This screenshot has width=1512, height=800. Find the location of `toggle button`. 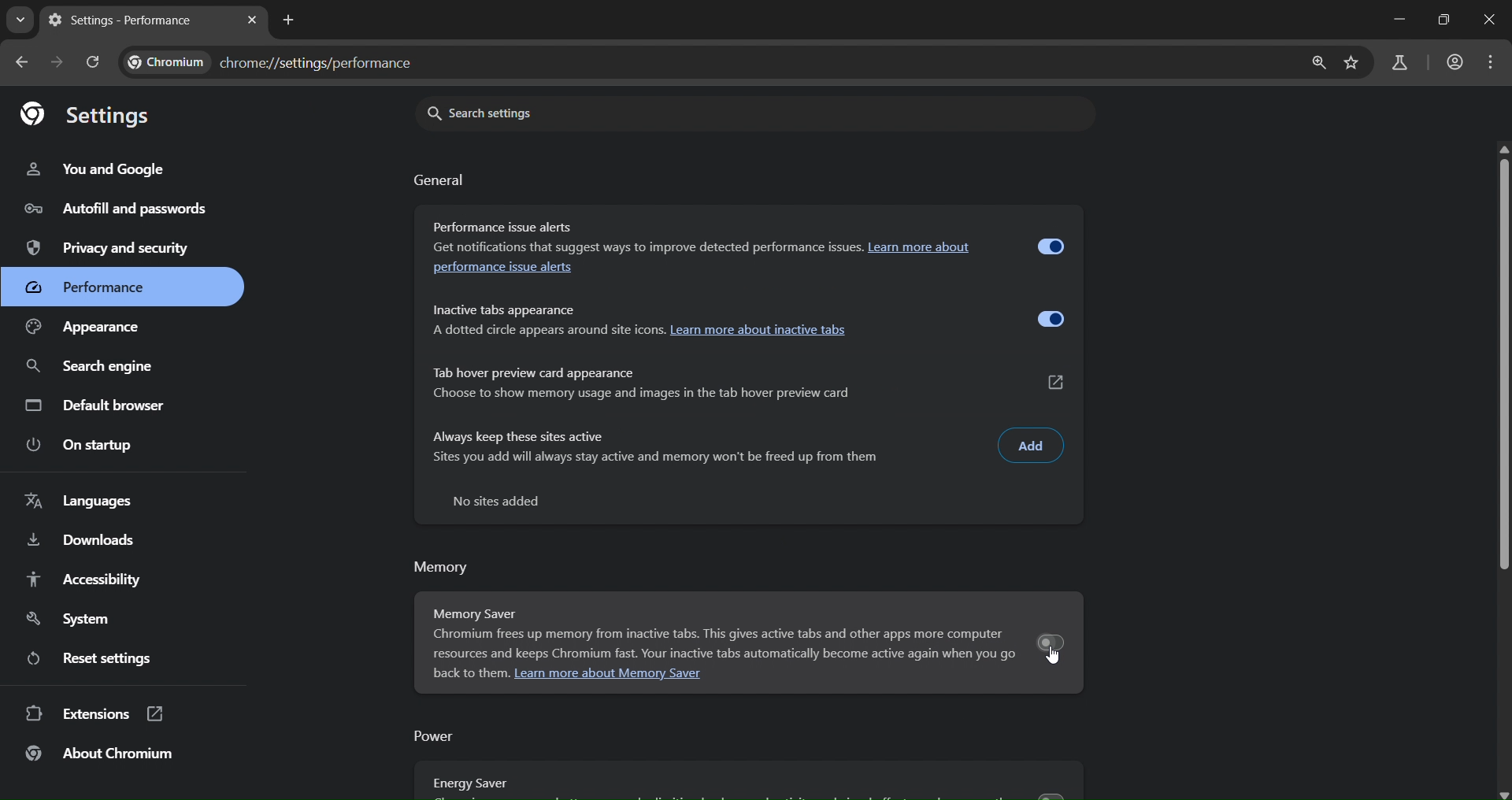

toggle button is located at coordinates (1052, 248).